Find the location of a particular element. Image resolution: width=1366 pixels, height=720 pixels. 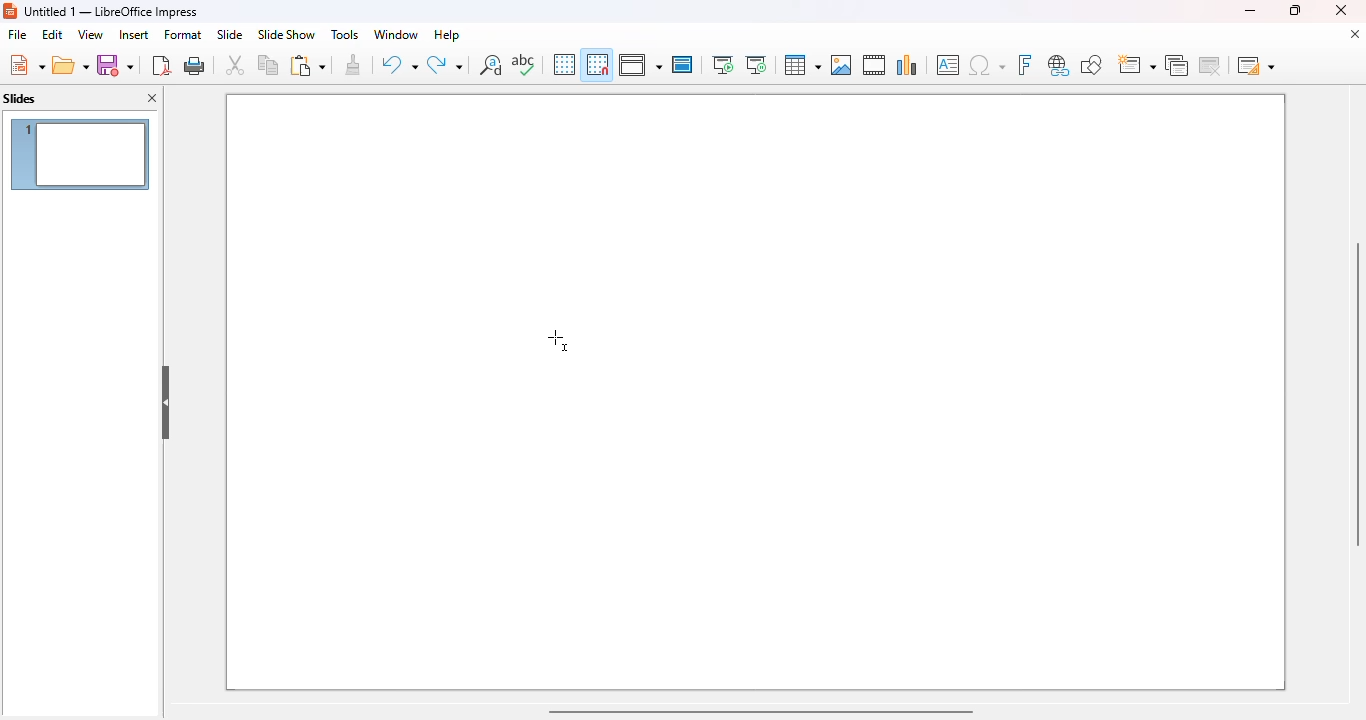

start from first slide is located at coordinates (722, 65).